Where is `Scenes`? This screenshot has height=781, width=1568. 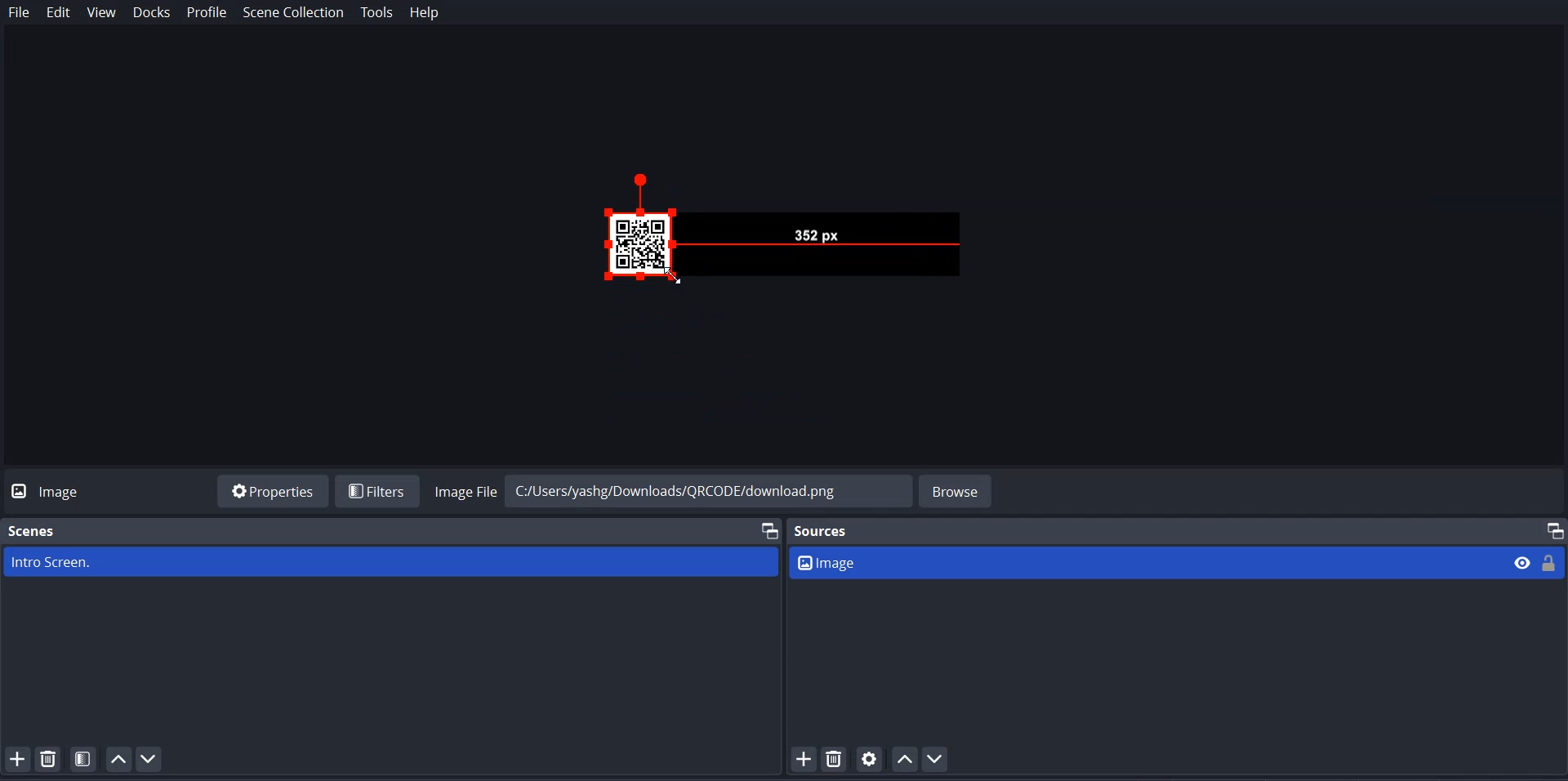 Scenes is located at coordinates (33, 529).